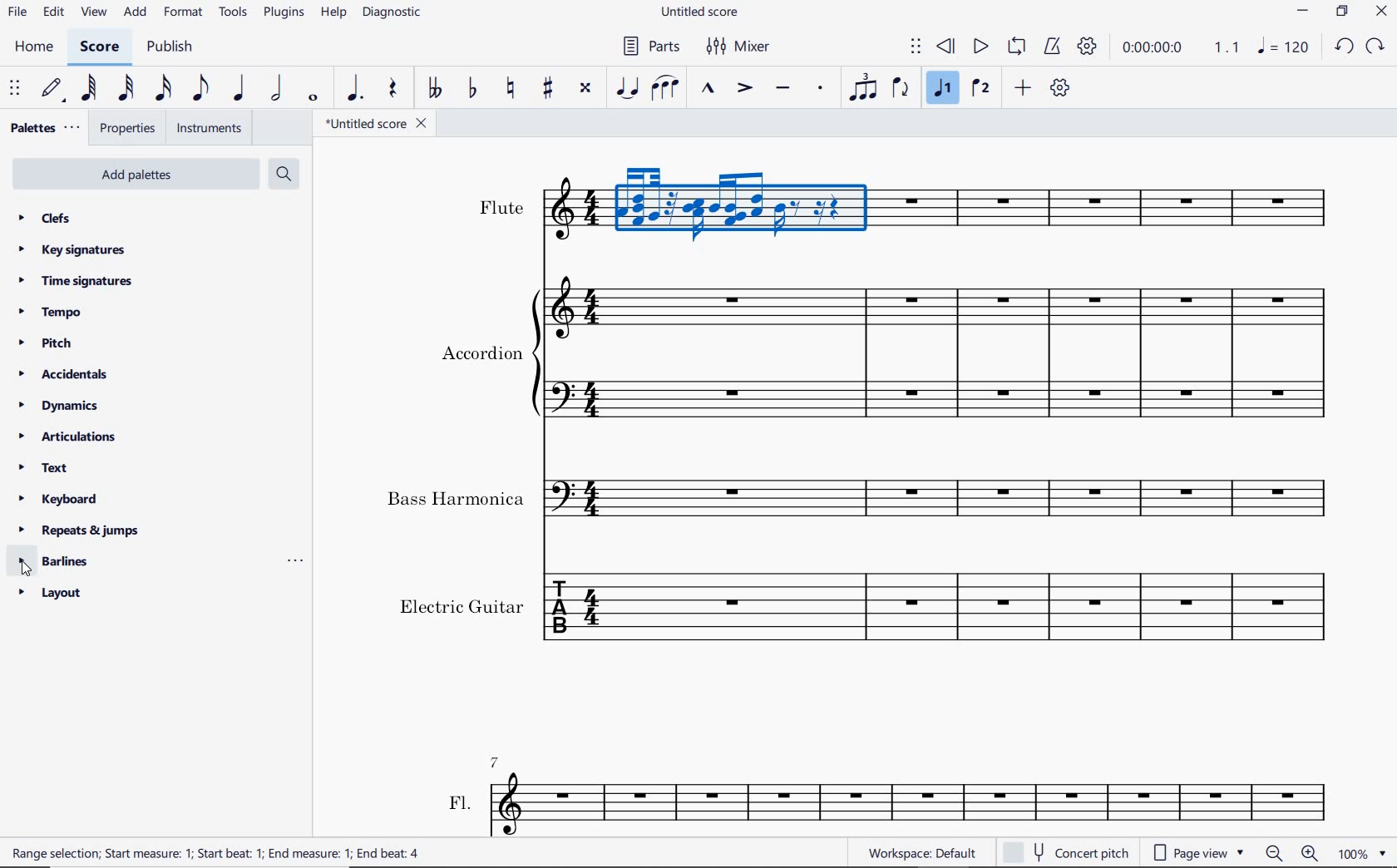  Describe the element at coordinates (919, 852) in the screenshot. I see `workspace: default` at that location.